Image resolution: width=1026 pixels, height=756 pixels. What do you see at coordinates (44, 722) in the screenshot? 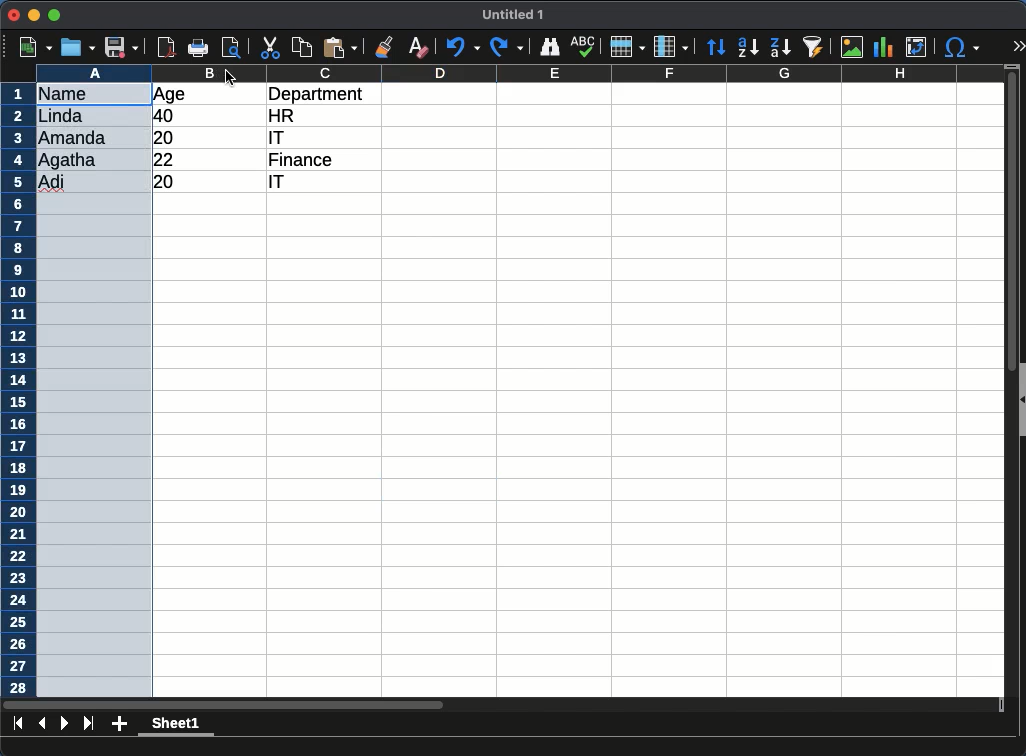
I see `previous sheet` at bounding box center [44, 722].